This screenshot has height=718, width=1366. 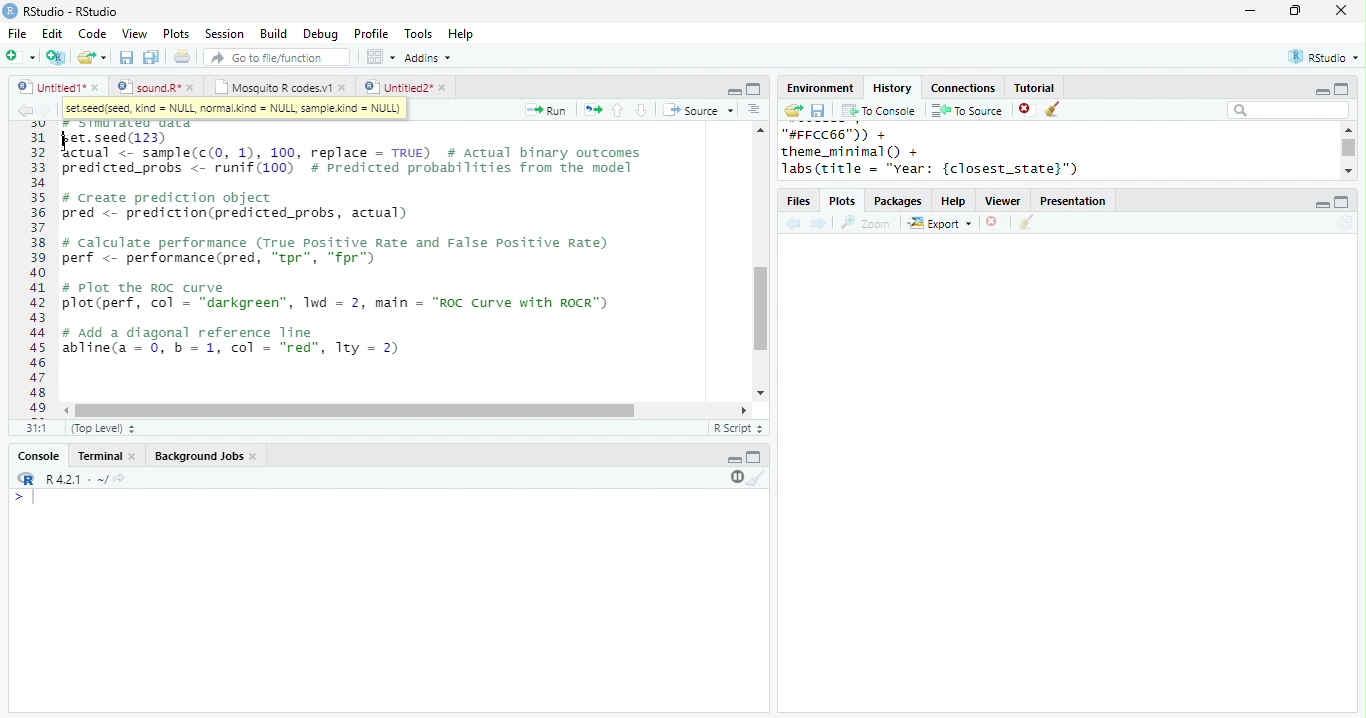 What do you see at coordinates (761, 309) in the screenshot?
I see `scroll bar` at bounding box center [761, 309].